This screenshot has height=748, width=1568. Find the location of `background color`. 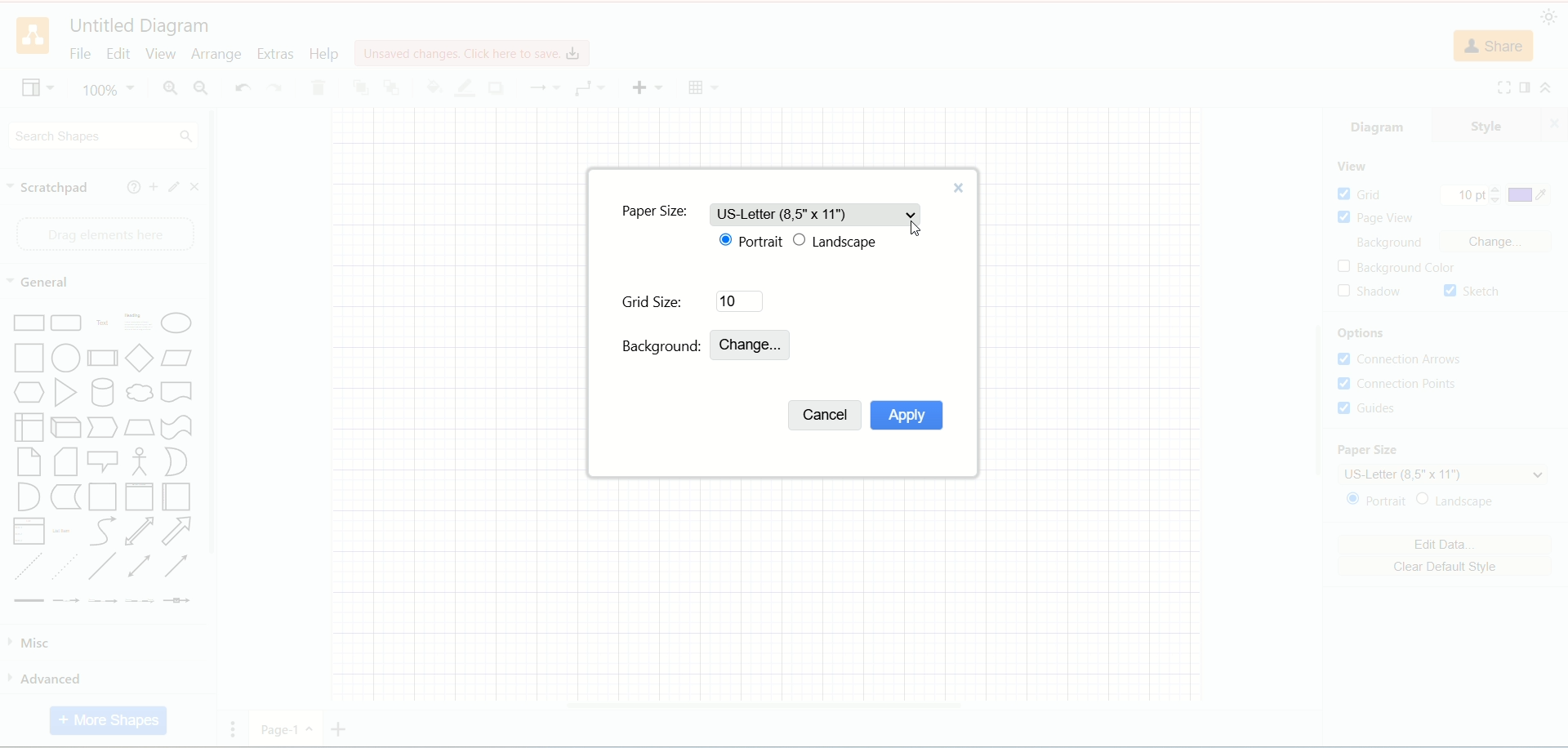

background color is located at coordinates (1401, 268).